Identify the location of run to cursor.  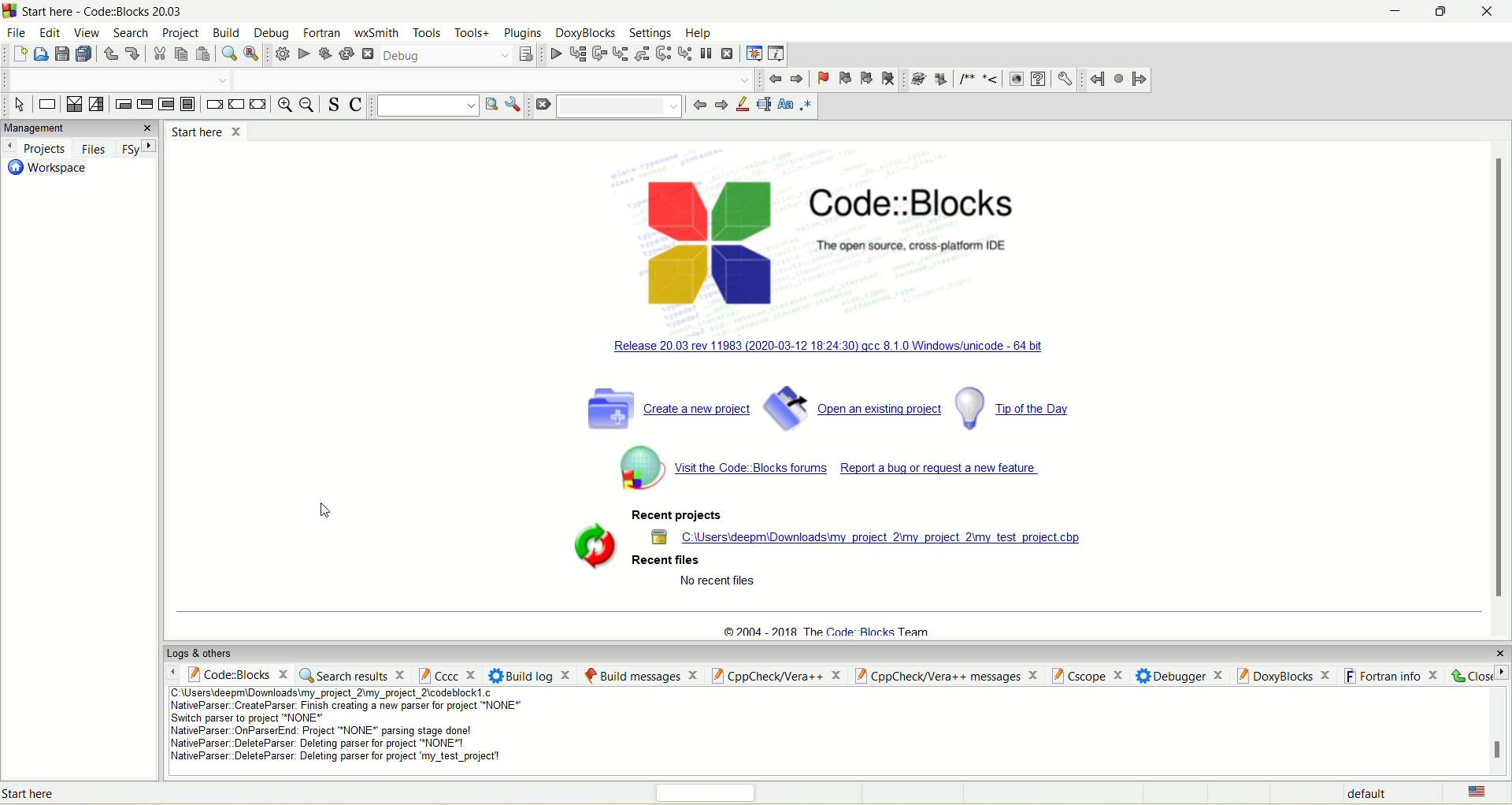
(577, 54).